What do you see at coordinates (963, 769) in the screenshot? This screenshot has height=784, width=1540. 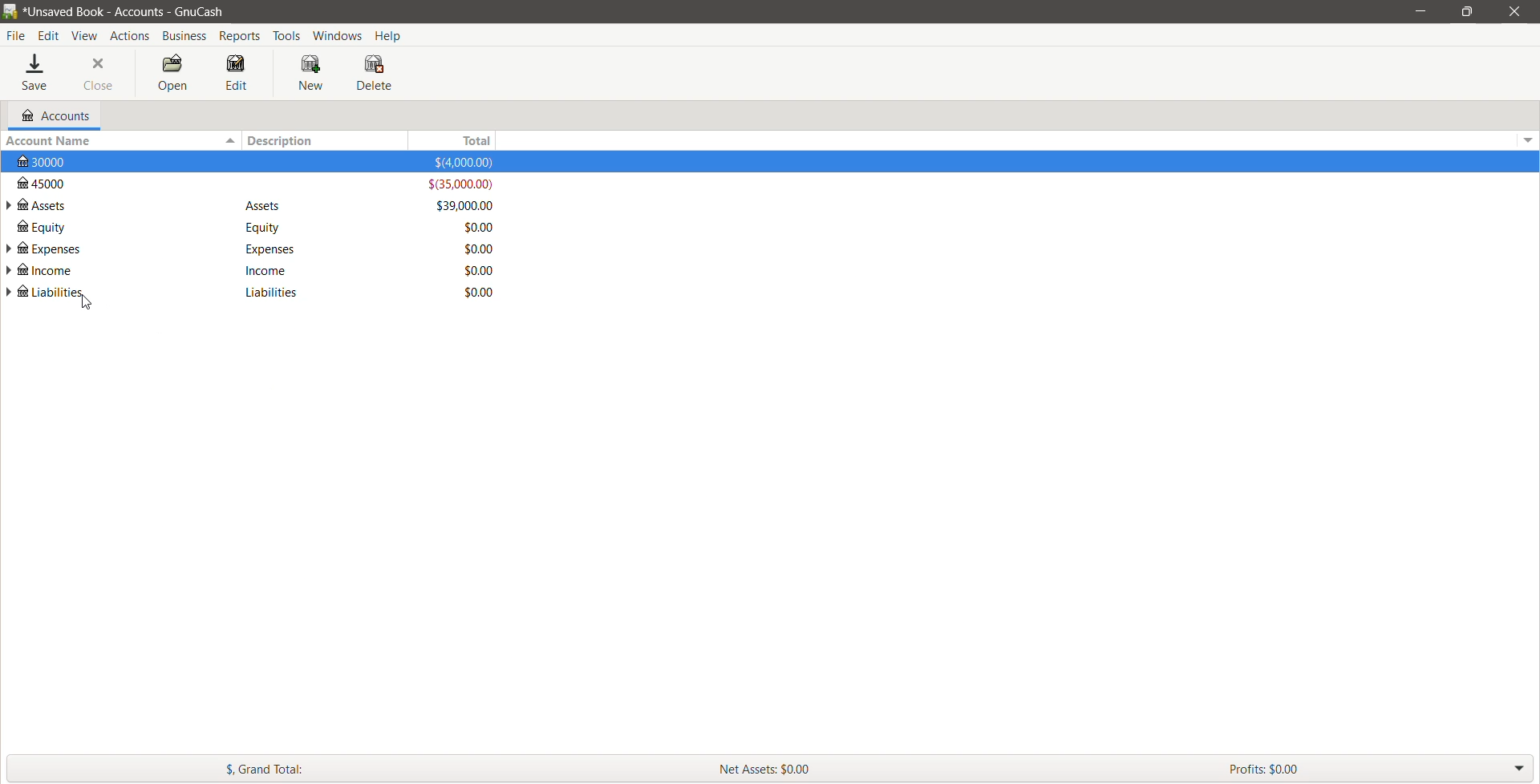 I see `Net Assets` at bounding box center [963, 769].